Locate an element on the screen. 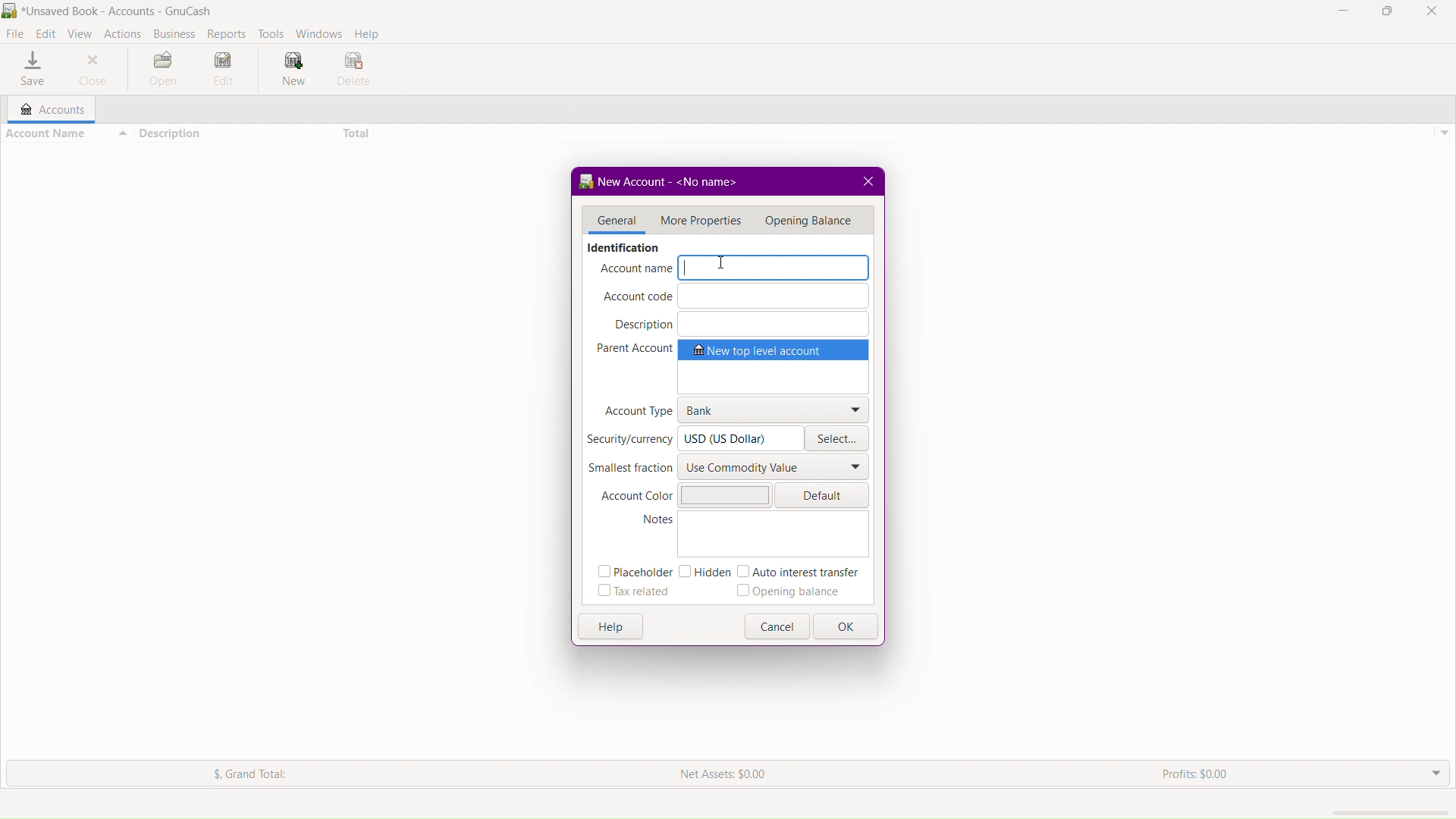  Delete is located at coordinates (354, 71).